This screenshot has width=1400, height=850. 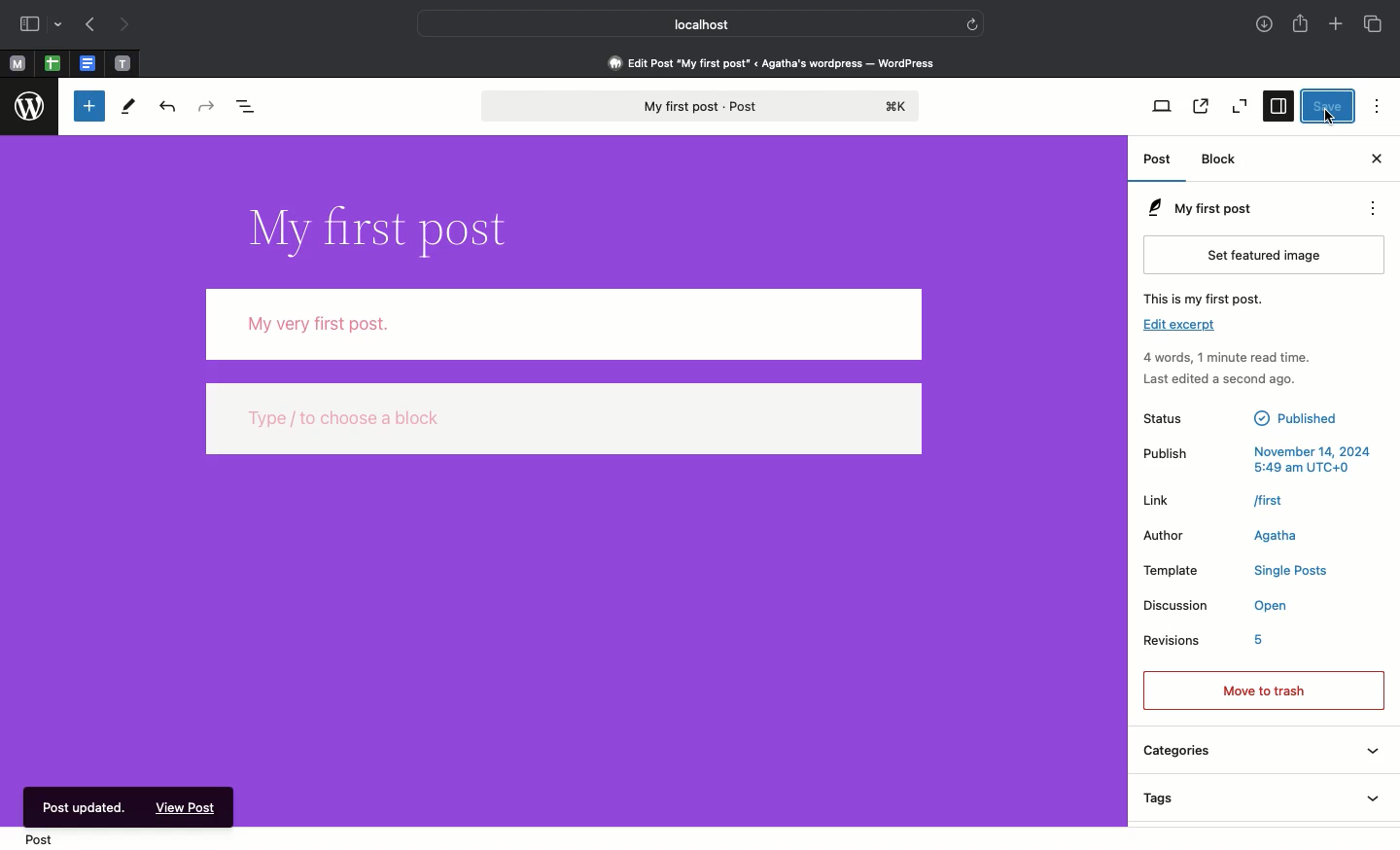 What do you see at coordinates (165, 108) in the screenshot?
I see `Undo` at bounding box center [165, 108].